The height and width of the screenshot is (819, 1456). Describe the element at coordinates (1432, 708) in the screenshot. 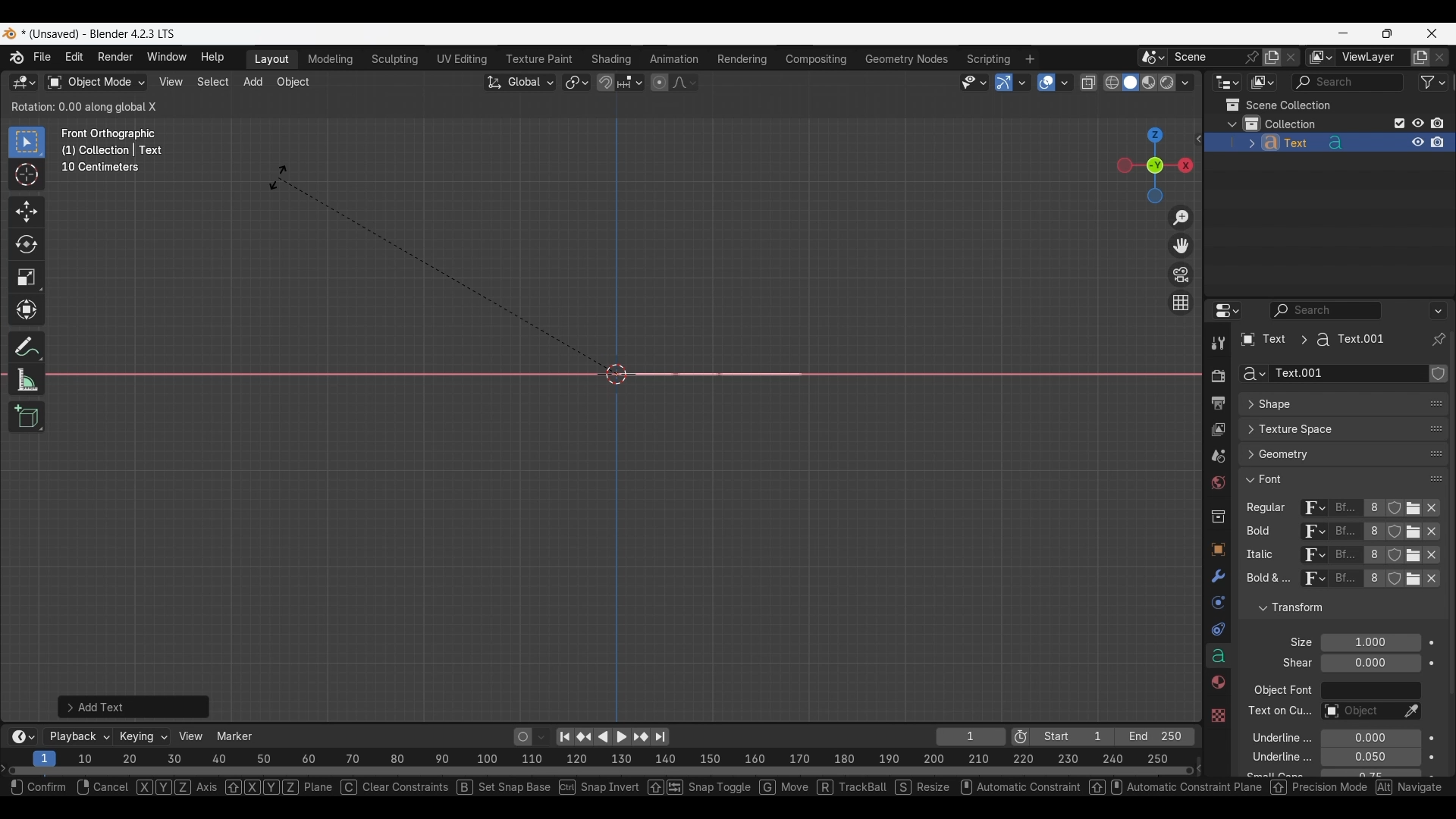

I see `Animate property of respective attribute` at that location.